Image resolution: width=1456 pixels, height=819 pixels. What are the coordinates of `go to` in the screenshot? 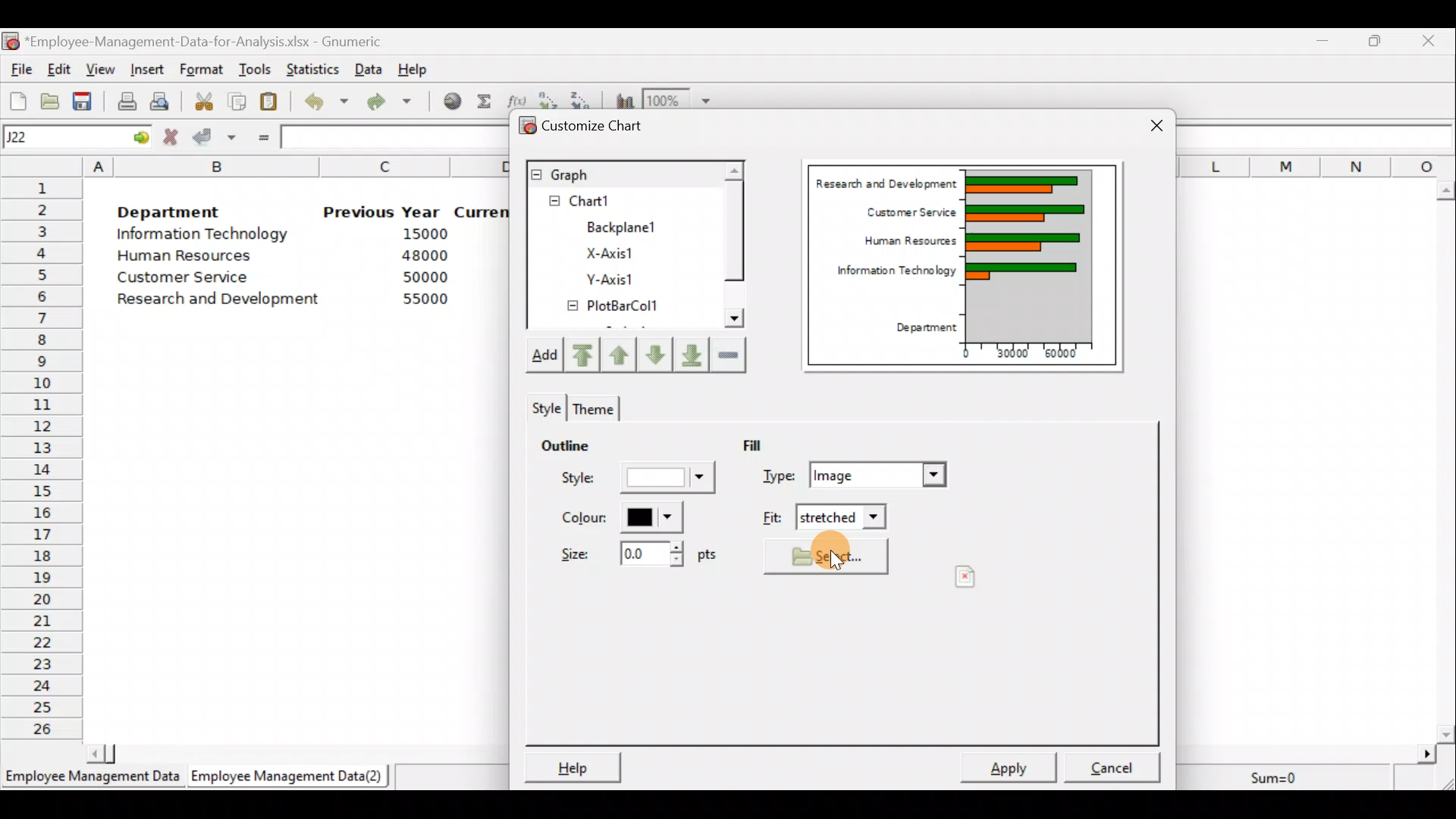 It's located at (140, 137).